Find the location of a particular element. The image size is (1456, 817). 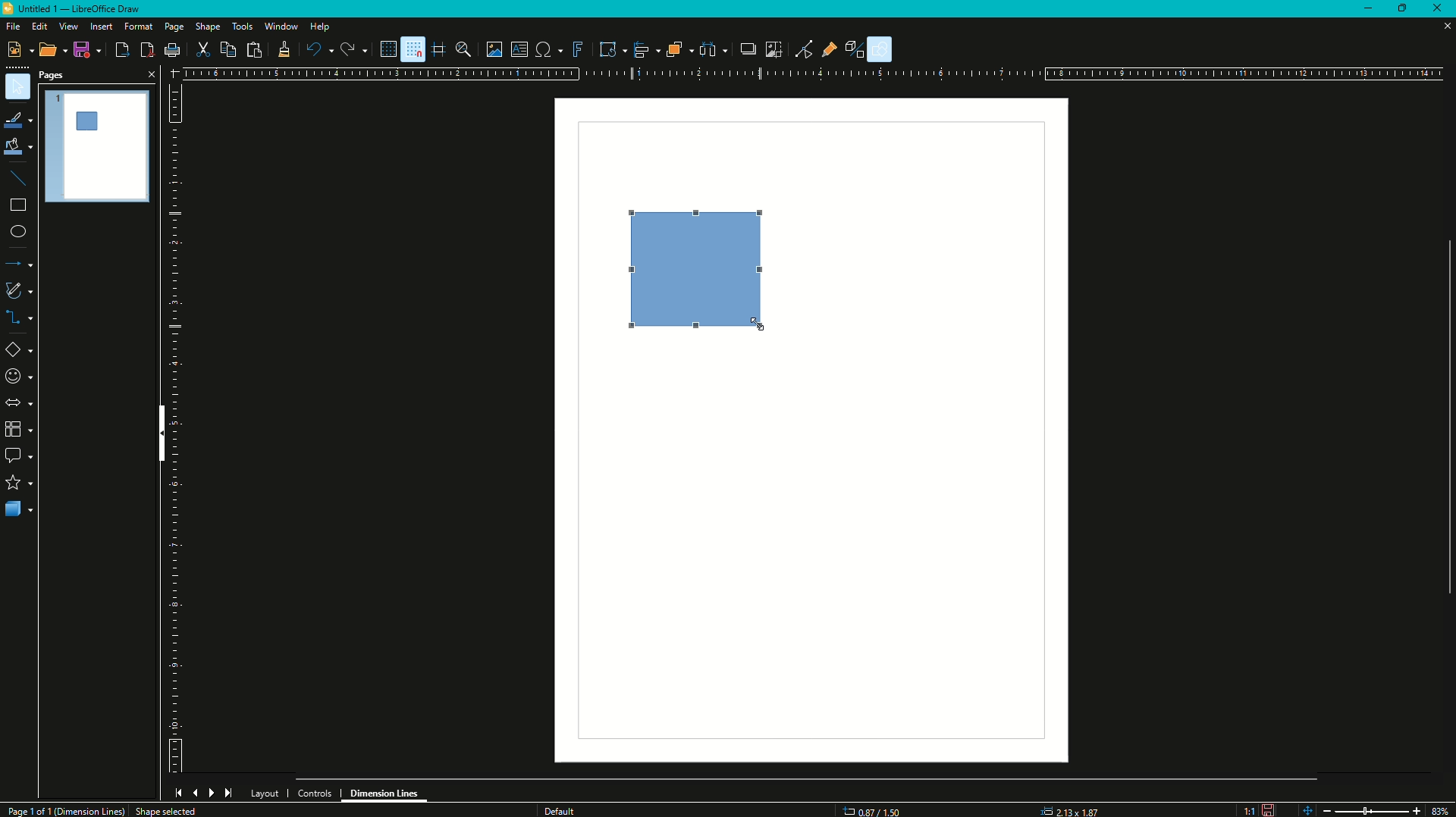

Rectangle is located at coordinates (17, 208).